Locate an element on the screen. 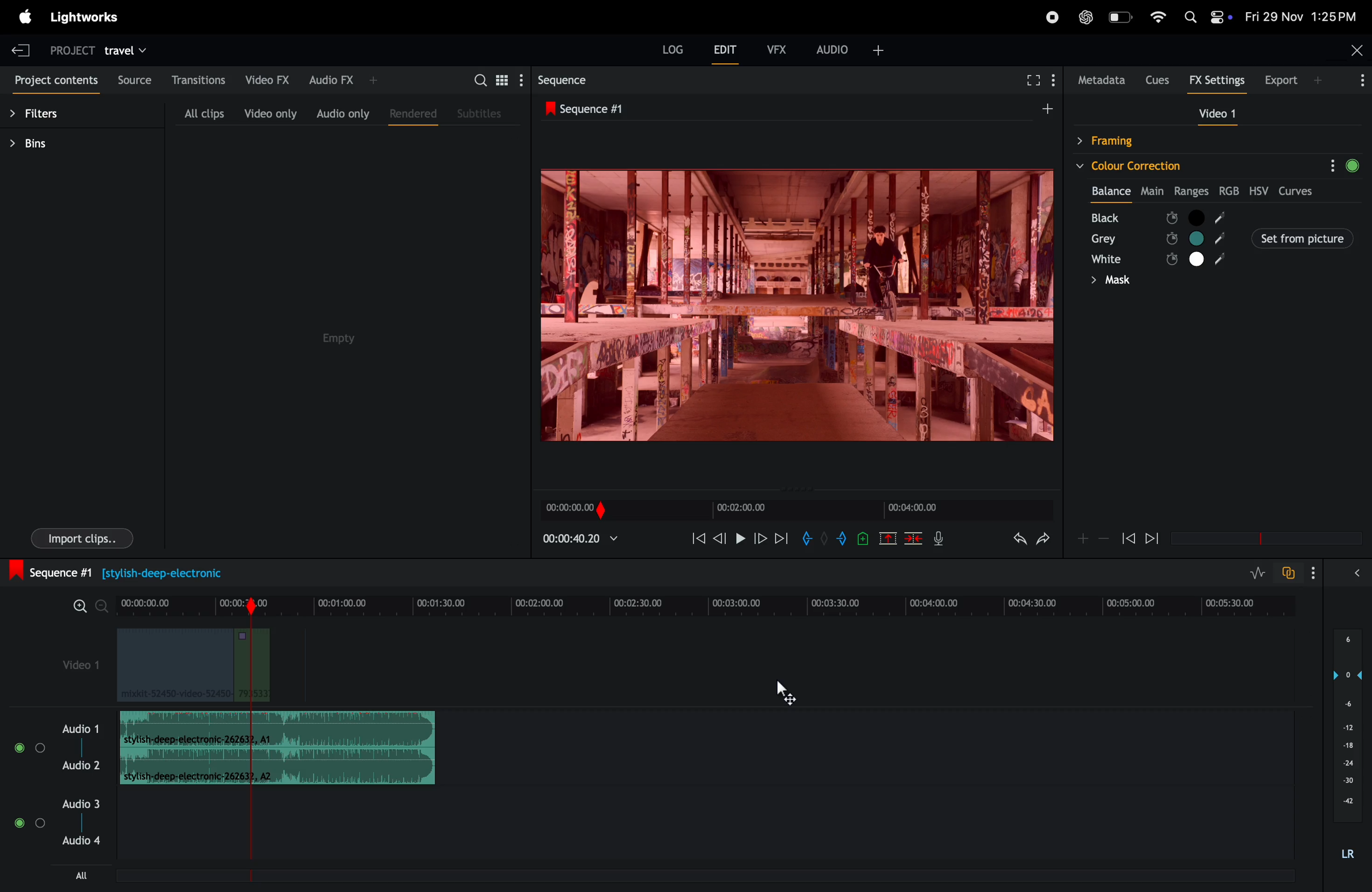 This screenshot has width=1372, height=892. audio fx is located at coordinates (344, 80).